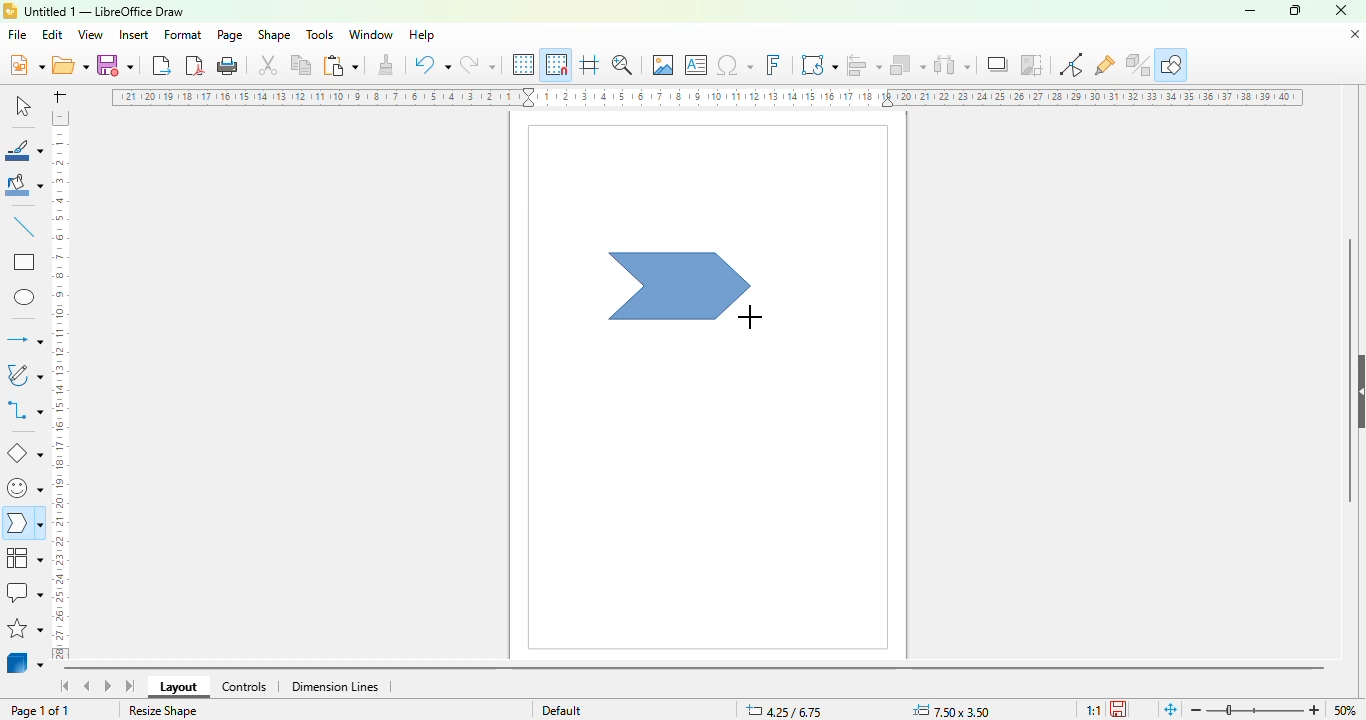  What do you see at coordinates (52, 35) in the screenshot?
I see `edit` at bounding box center [52, 35].